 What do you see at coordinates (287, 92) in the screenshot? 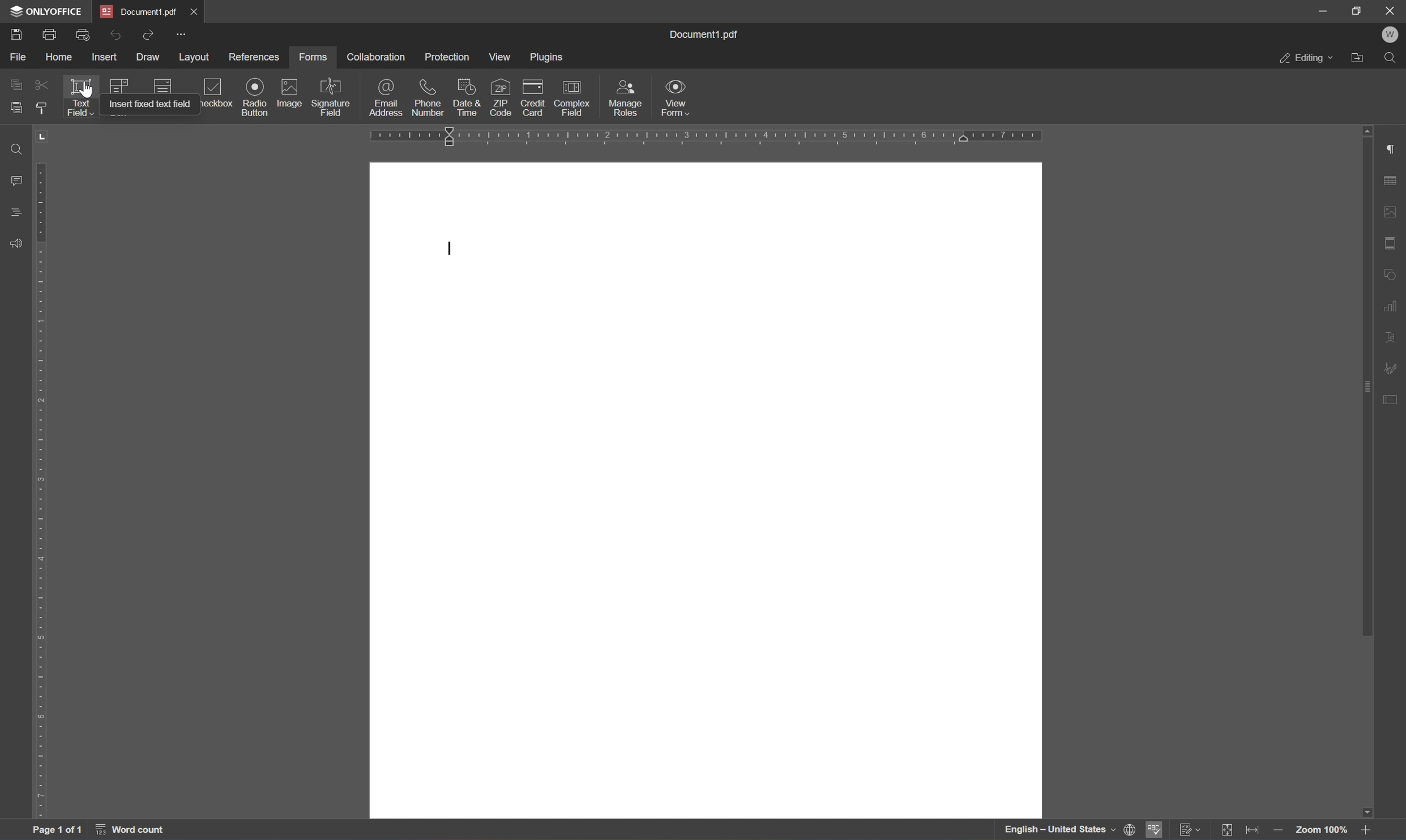
I see `image` at bounding box center [287, 92].